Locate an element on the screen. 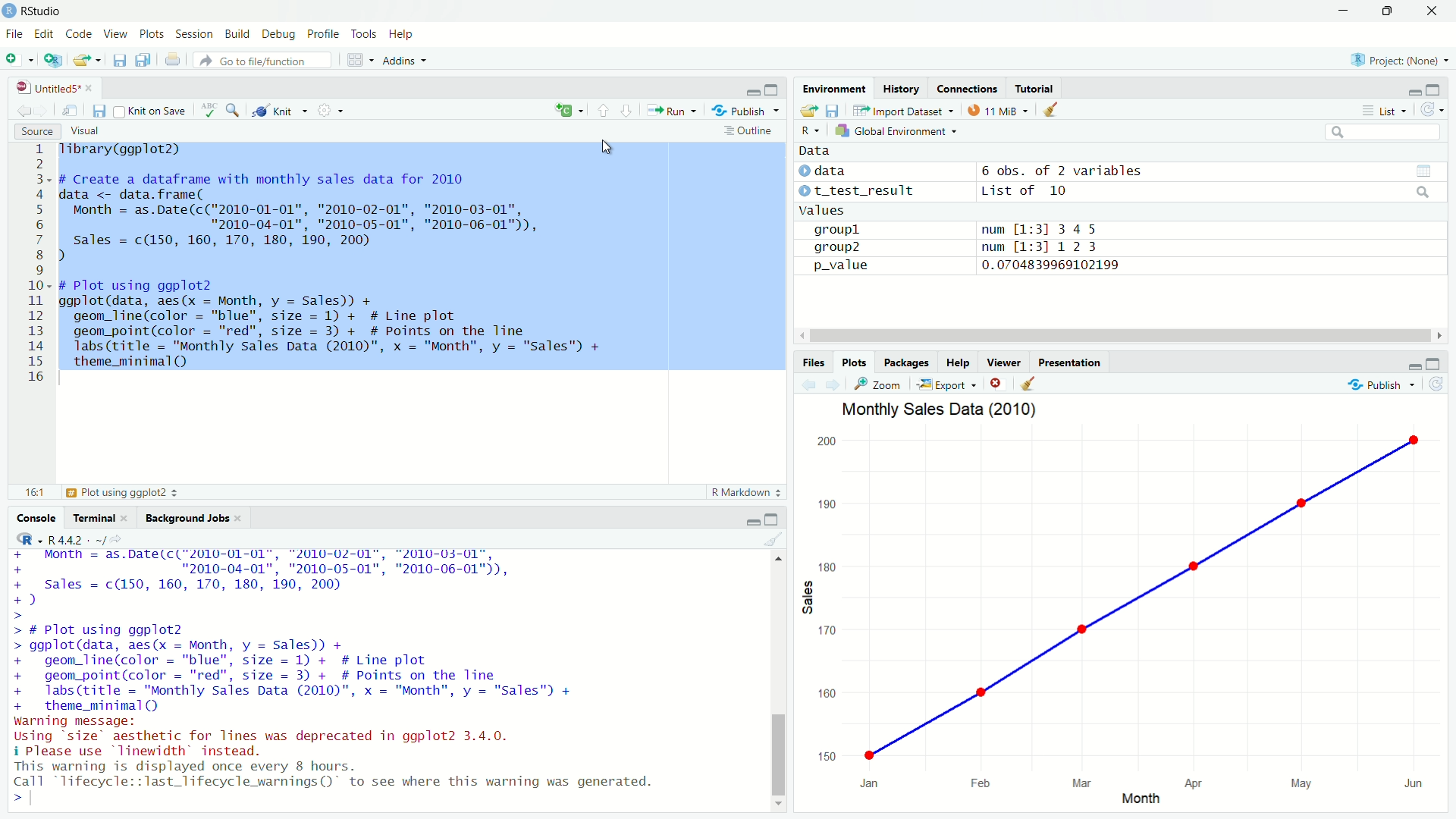 The width and height of the screenshot is (1456, 819). close is located at coordinates (1429, 14).